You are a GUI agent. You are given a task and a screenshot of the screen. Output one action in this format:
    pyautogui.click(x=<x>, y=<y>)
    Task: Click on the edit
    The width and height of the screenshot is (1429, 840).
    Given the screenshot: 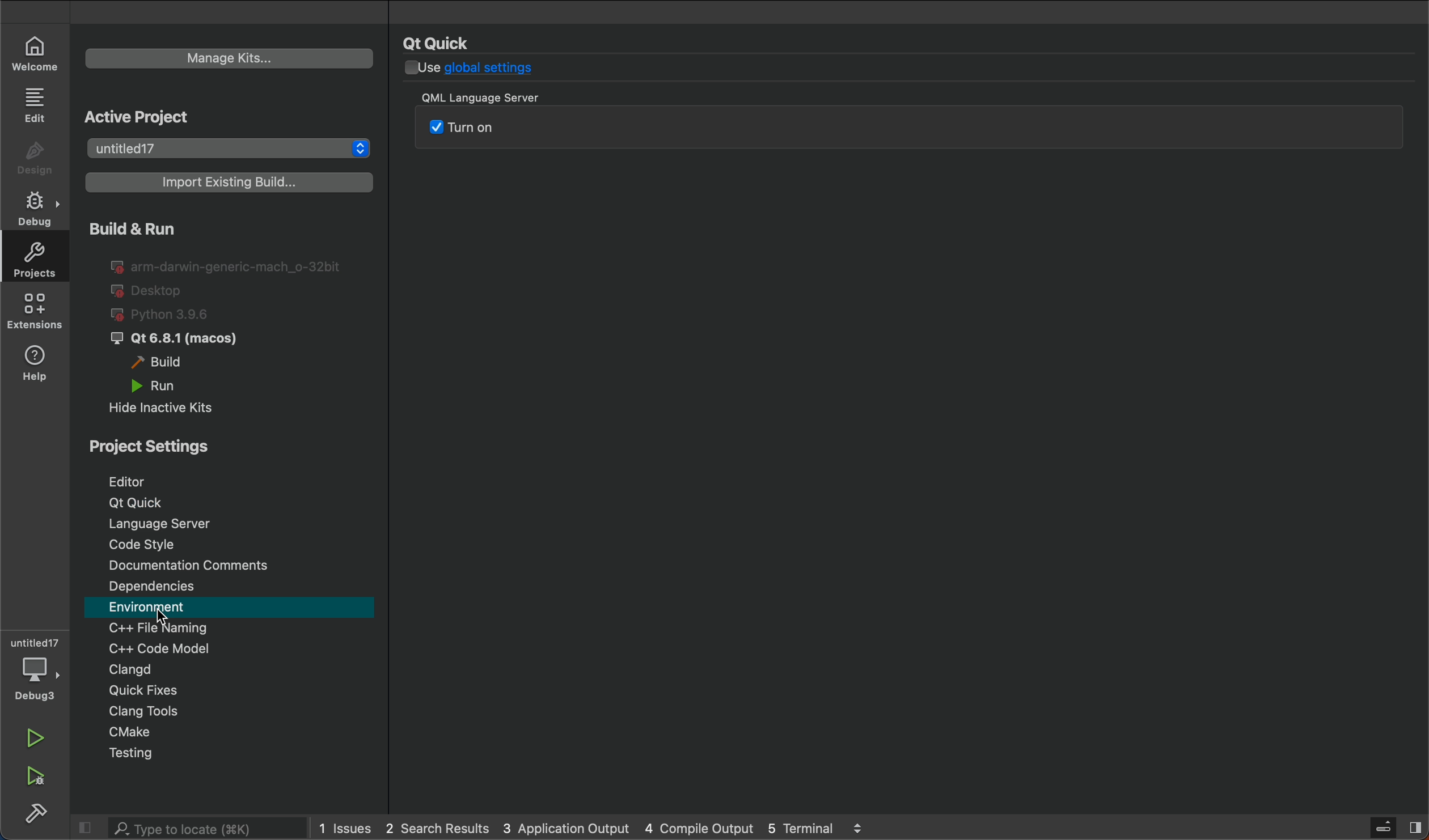 What is the action you would take?
    pyautogui.click(x=39, y=104)
    